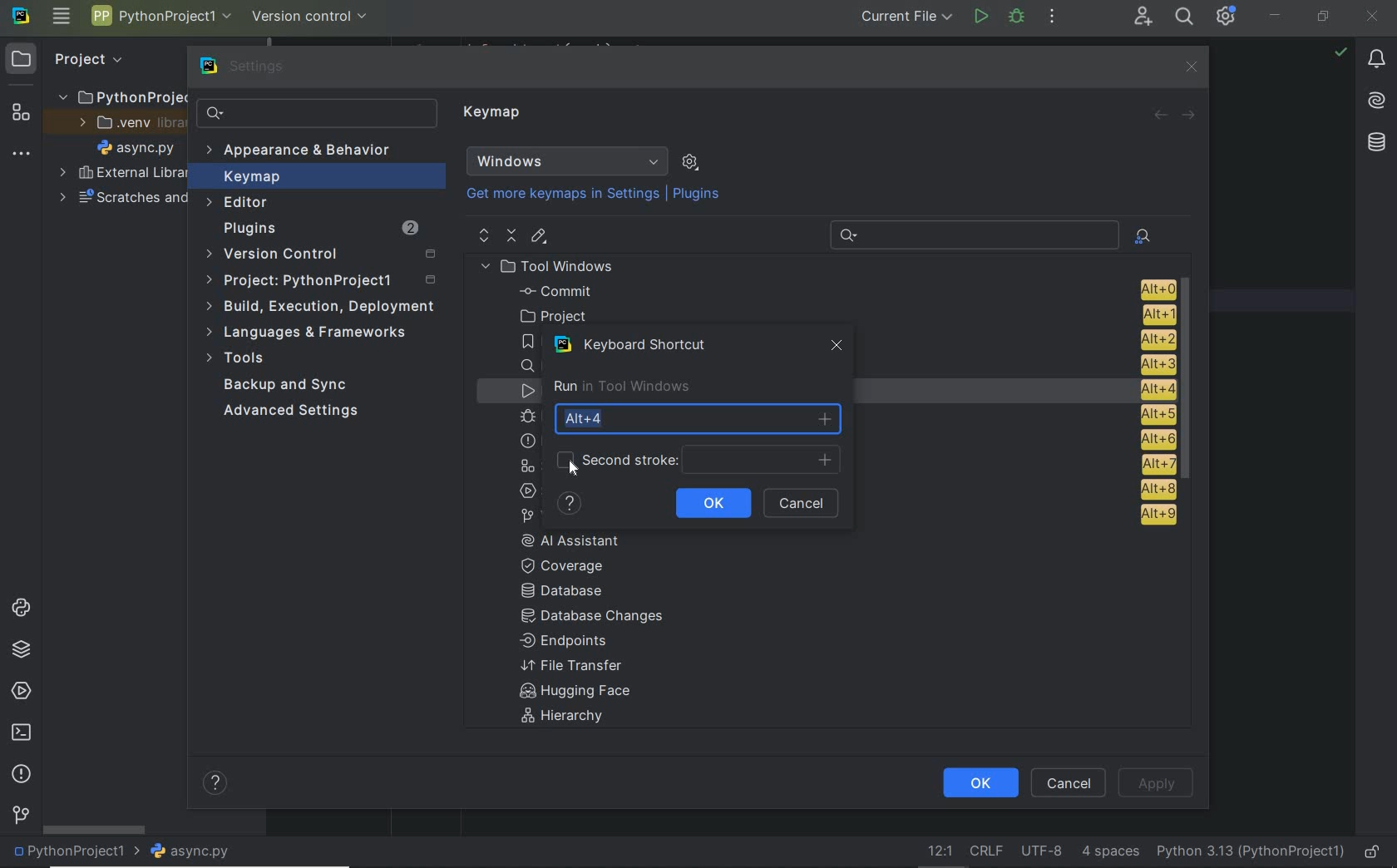 The image size is (1397, 868). What do you see at coordinates (245, 67) in the screenshot?
I see `settings` at bounding box center [245, 67].